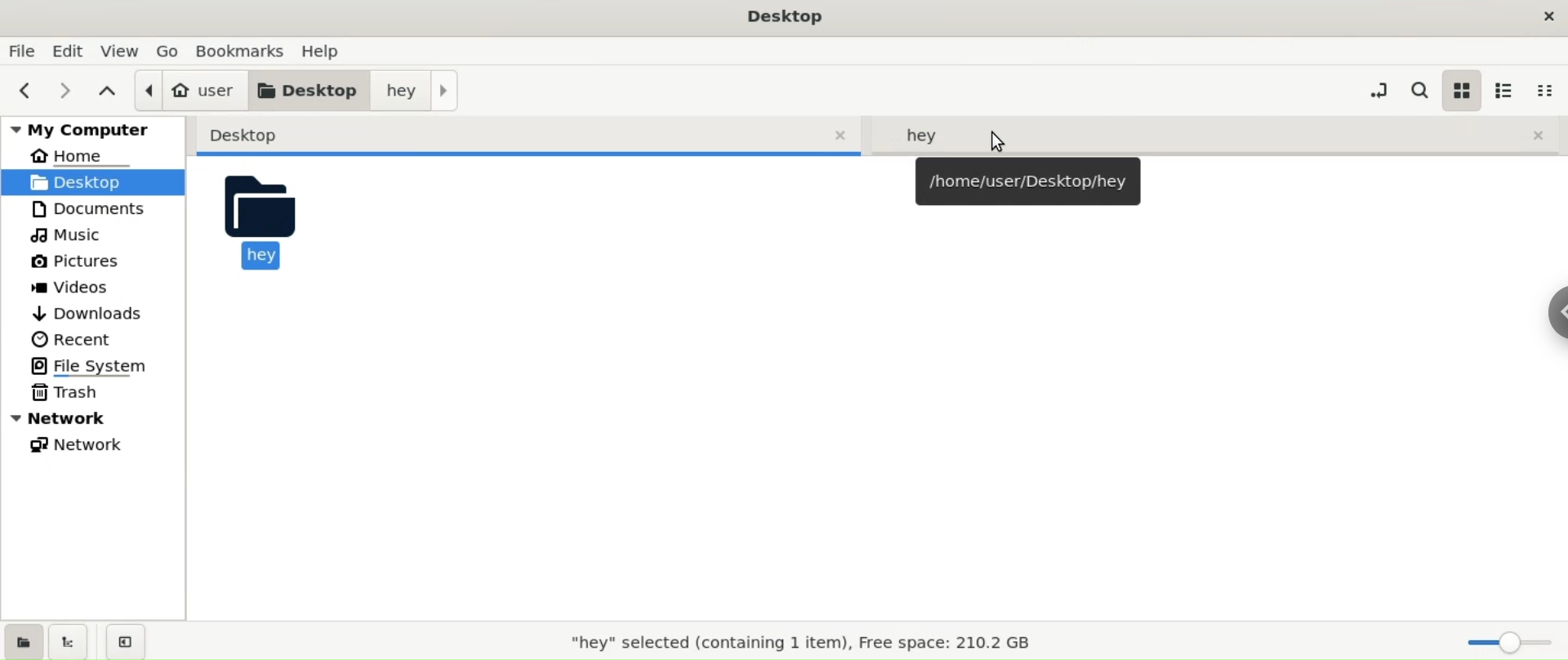 This screenshot has height=660, width=1568. What do you see at coordinates (98, 288) in the screenshot?
I see `videos` at bounding box center [98, 288].